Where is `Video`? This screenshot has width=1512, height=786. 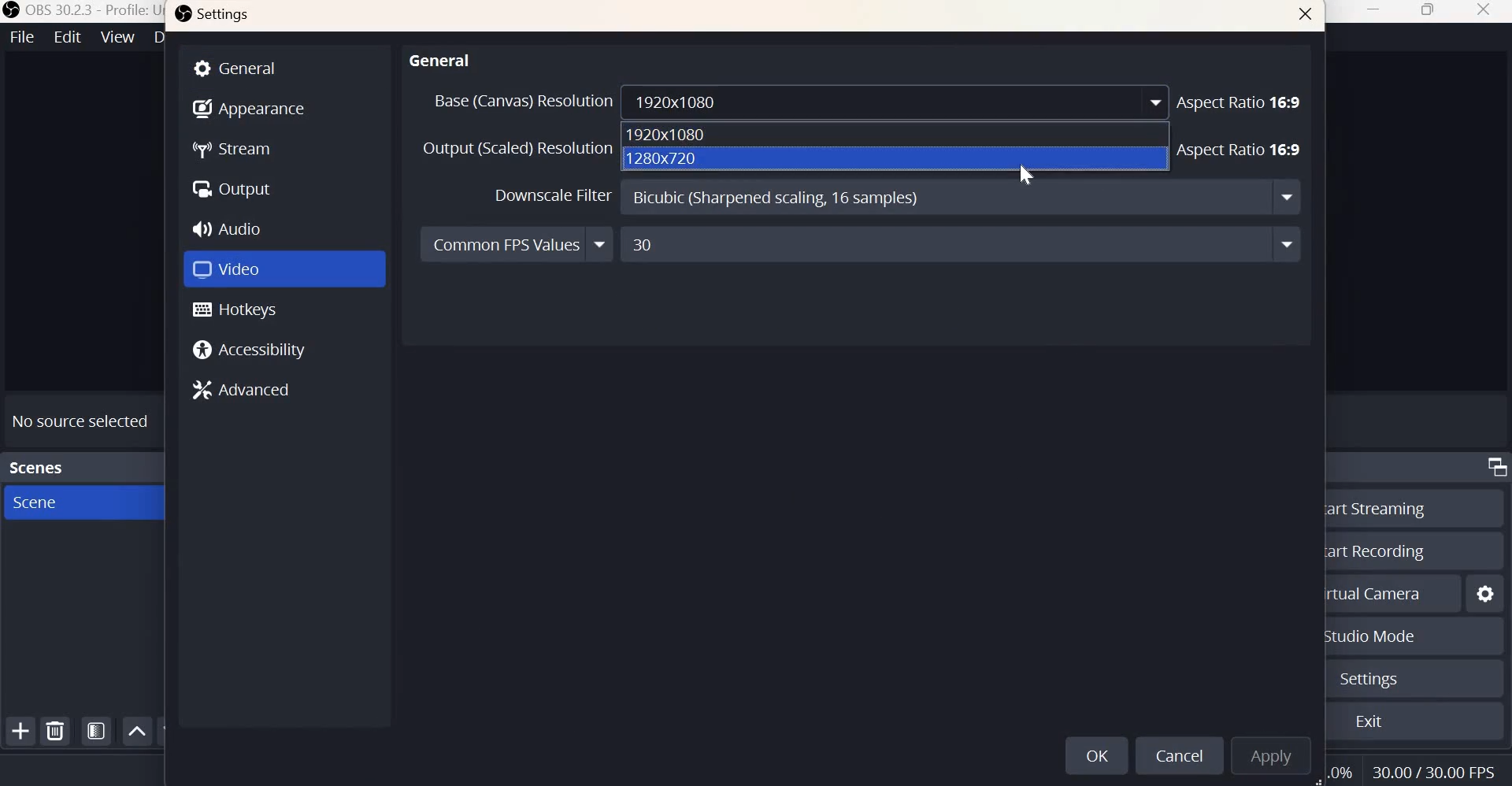
Video is located at coordinates (231, 267).